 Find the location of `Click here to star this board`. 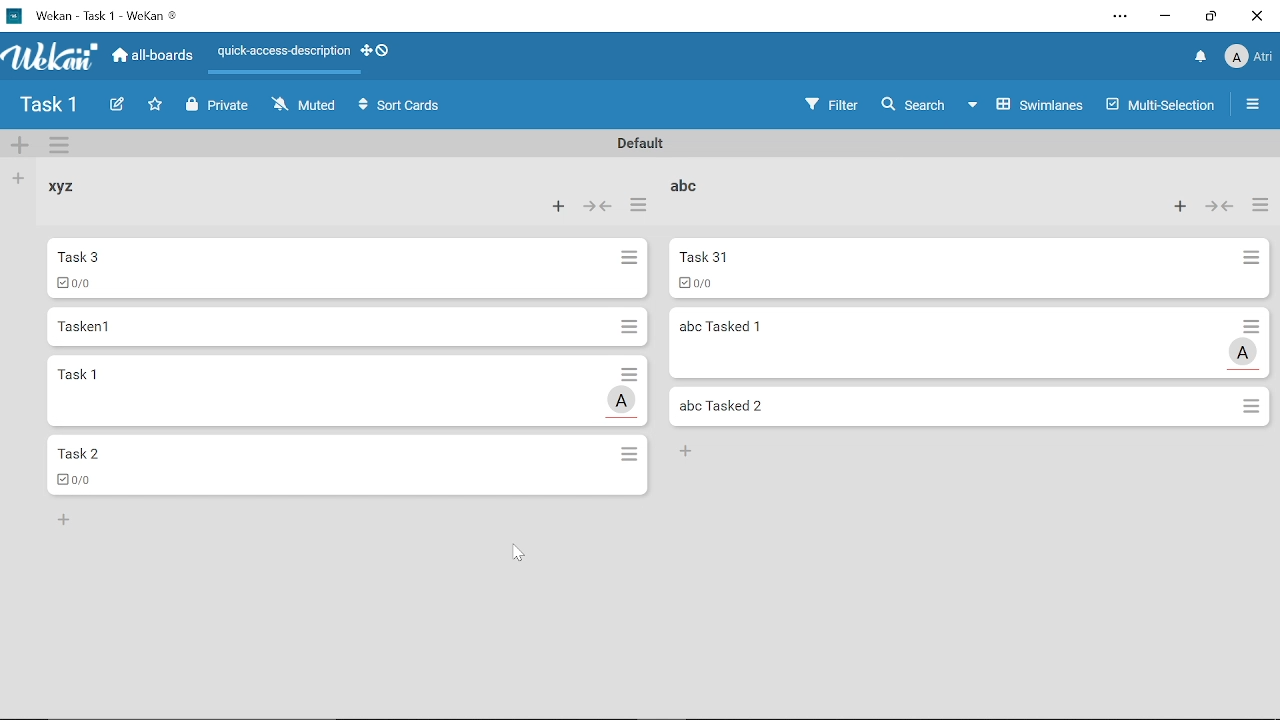

Click here to star this board is located at coordinates (155, 106).